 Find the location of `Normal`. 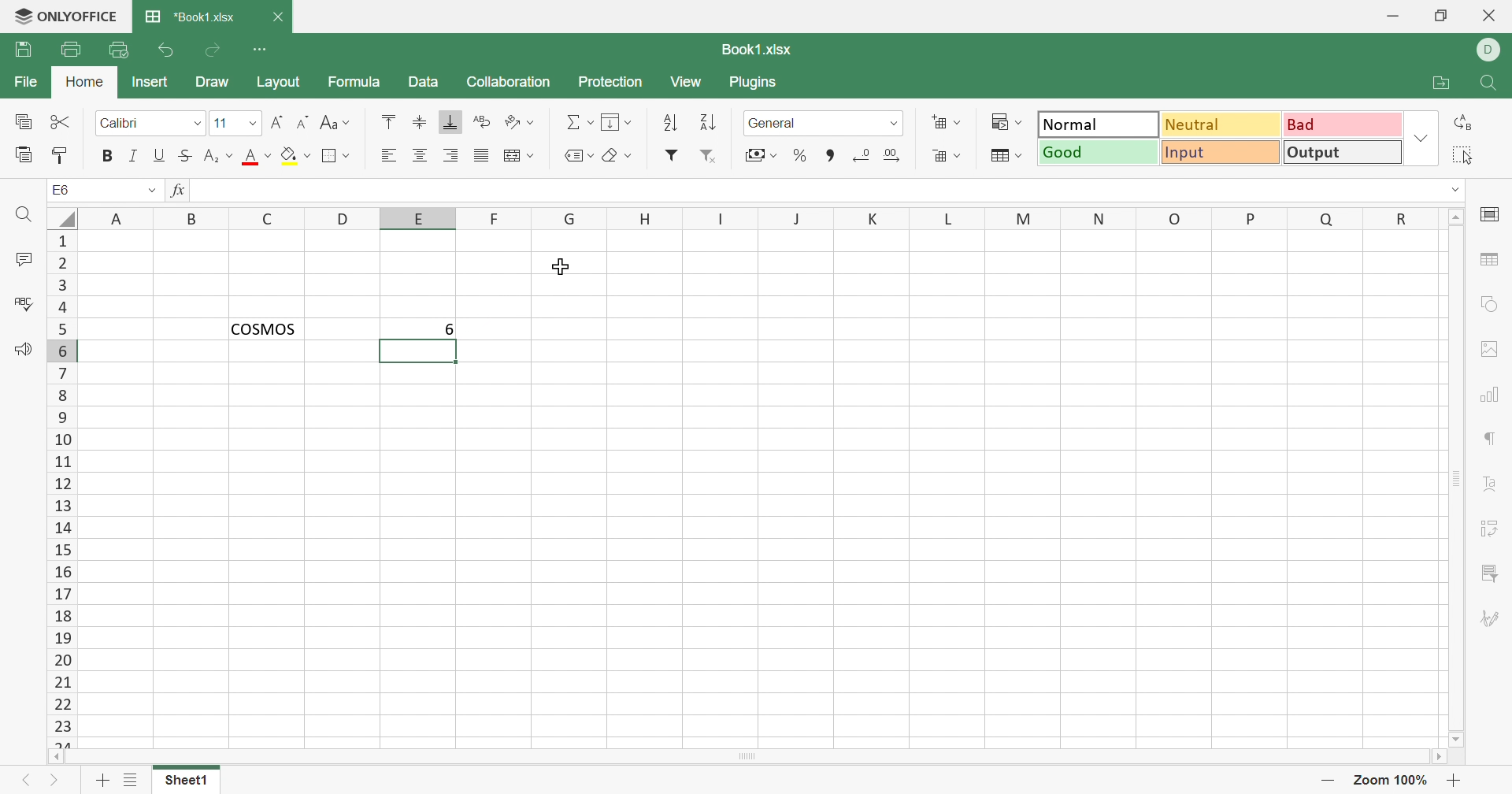

Normal is located at coordinates (1099, 123).